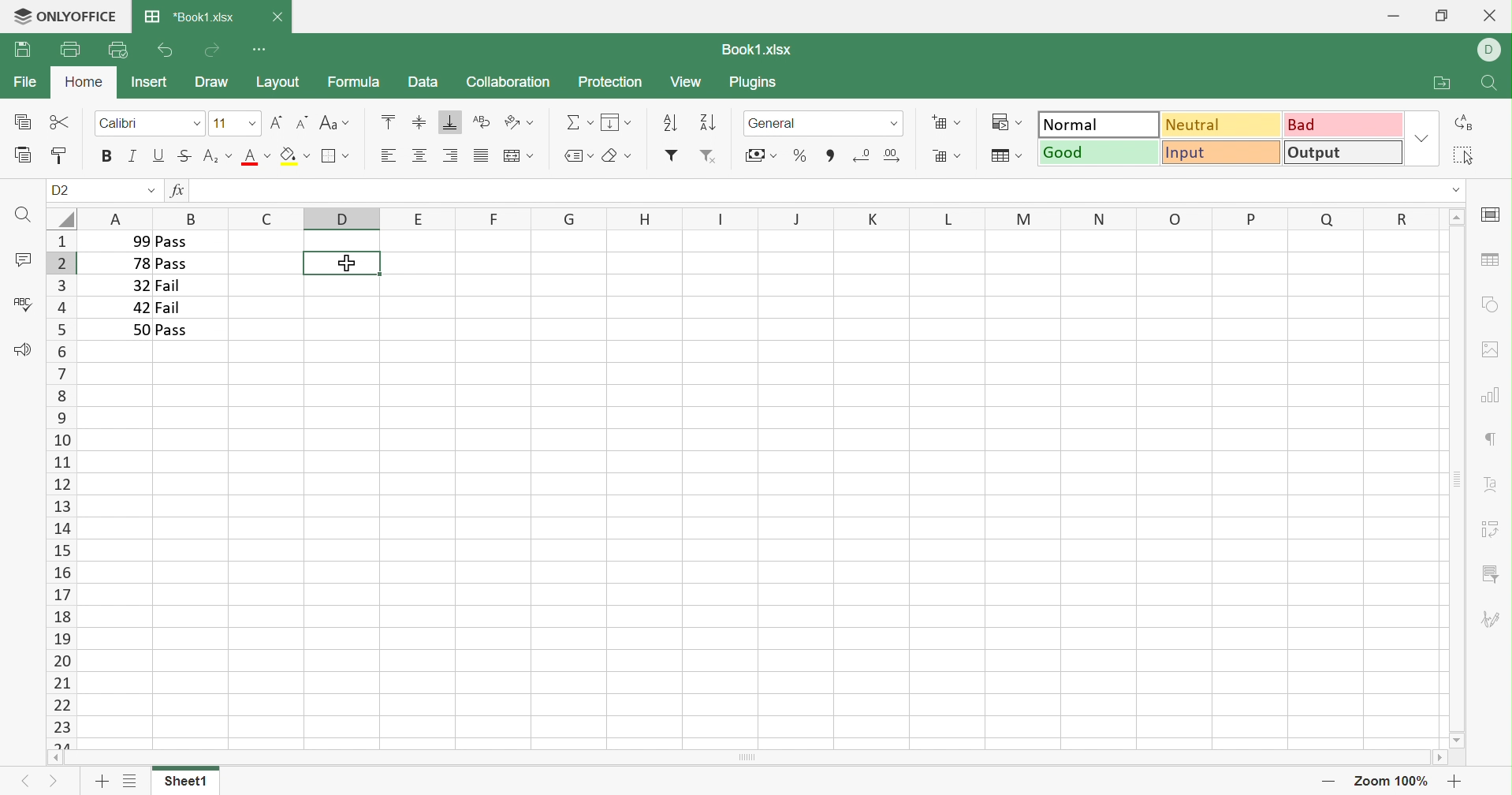 The height and width of the screenshot is (795, 1512). Describe the element at coordinates (1464, 155) in the screenshot. I see `Select all` at that location.